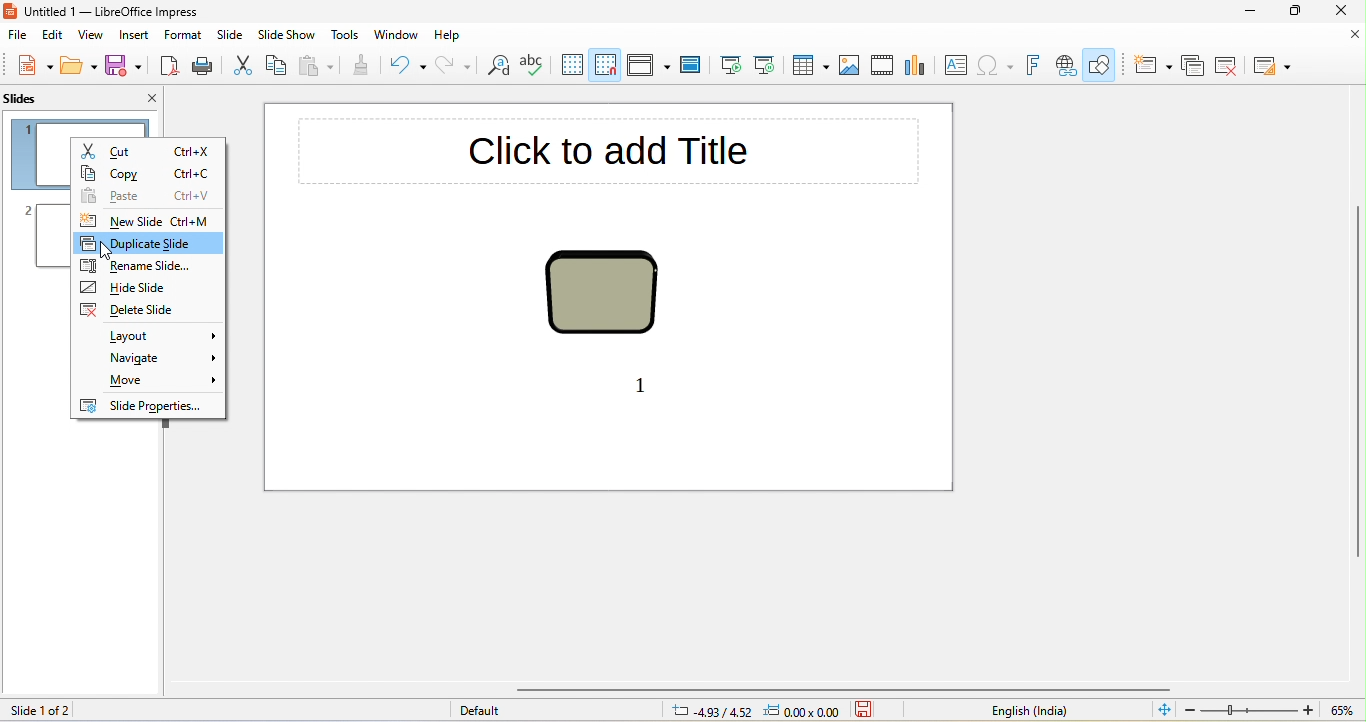 The height and width of the screenshot is (722, 1366). What do you see at coordinates (1032, 67) in the screenshot?
I see `fontwork text` at bounding box center [1032, 67].